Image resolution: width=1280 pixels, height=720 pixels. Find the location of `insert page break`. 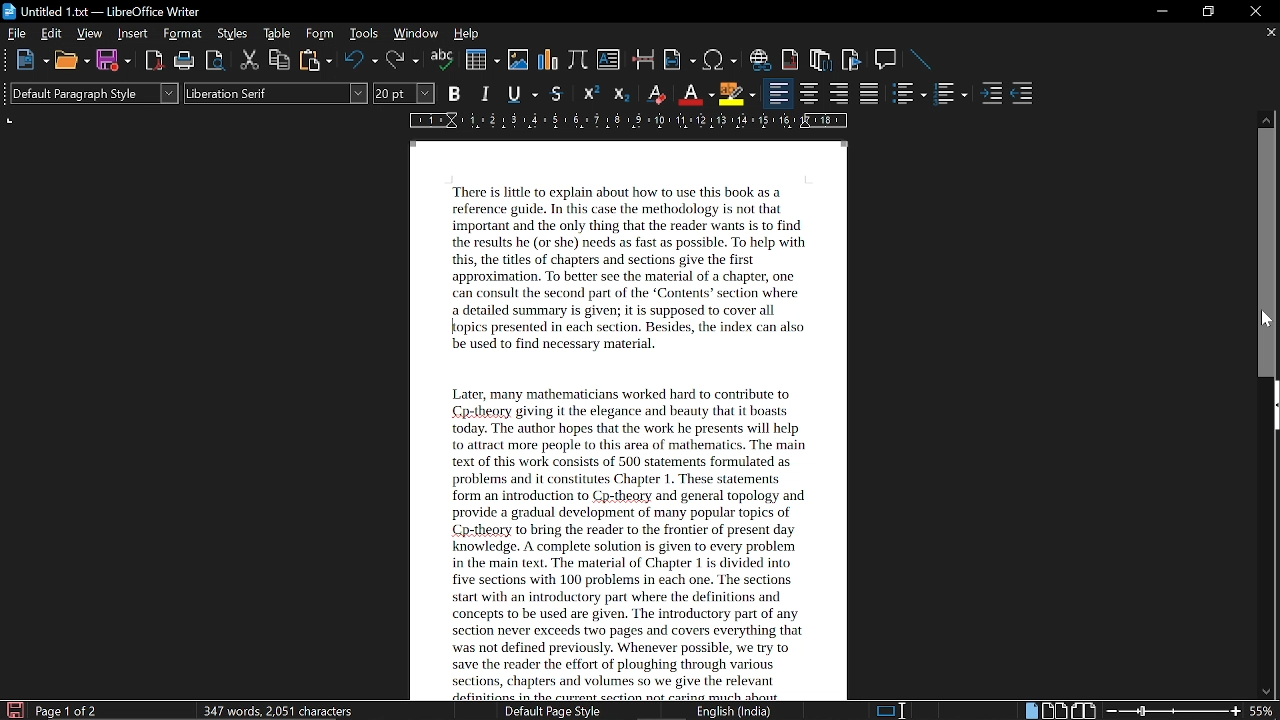

insert page break is located at coordinates (643, 61).